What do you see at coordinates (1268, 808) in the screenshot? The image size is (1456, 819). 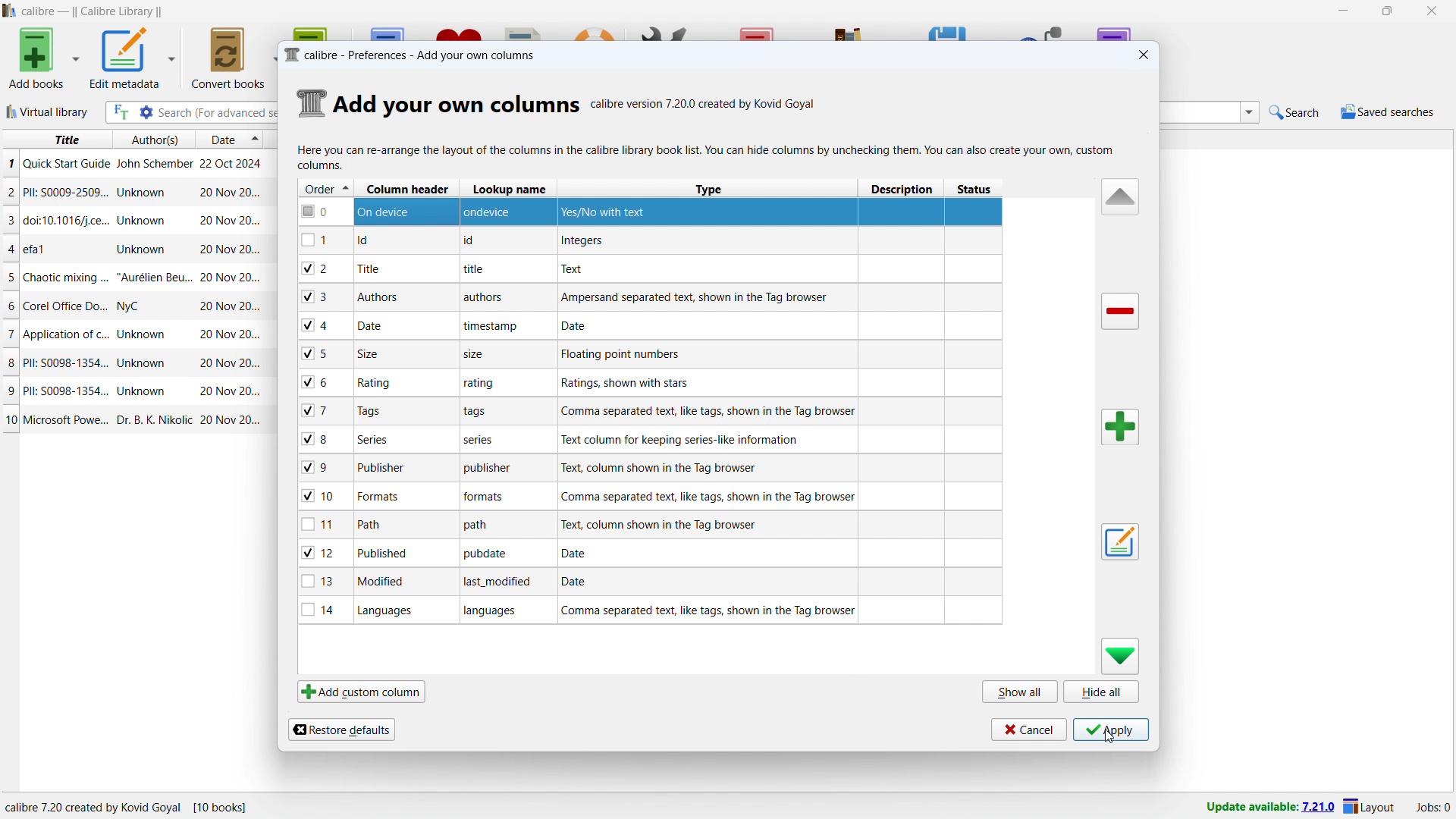 I see `update` at bounding box center [1268, 808].